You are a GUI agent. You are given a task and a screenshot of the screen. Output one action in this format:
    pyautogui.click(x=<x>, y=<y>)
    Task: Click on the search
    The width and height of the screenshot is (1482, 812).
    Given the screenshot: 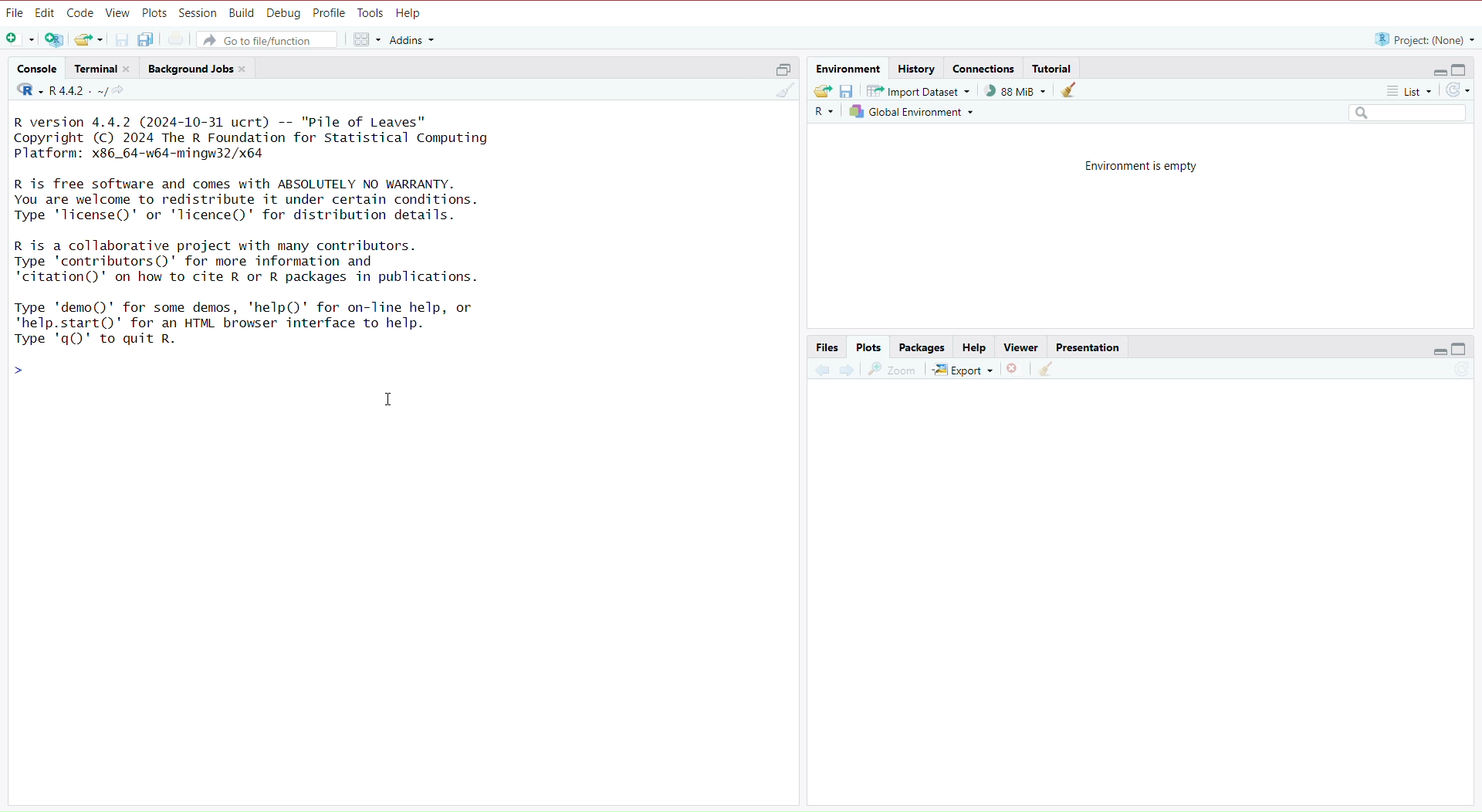 What is the action you would take?
    pyautogui.click(x=1401, y=113)
    